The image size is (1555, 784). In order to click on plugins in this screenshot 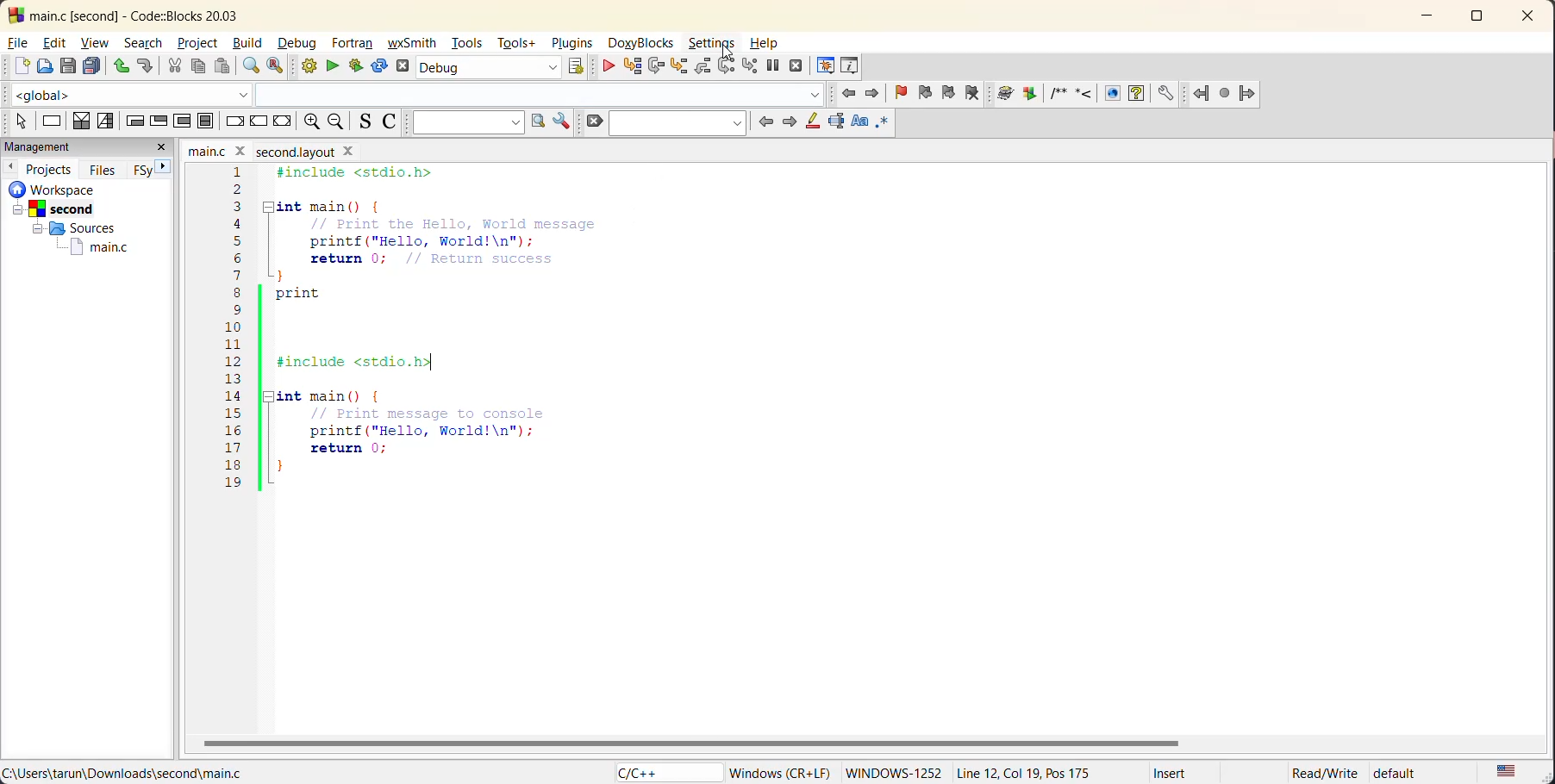, I will do `click(570, 42)`.